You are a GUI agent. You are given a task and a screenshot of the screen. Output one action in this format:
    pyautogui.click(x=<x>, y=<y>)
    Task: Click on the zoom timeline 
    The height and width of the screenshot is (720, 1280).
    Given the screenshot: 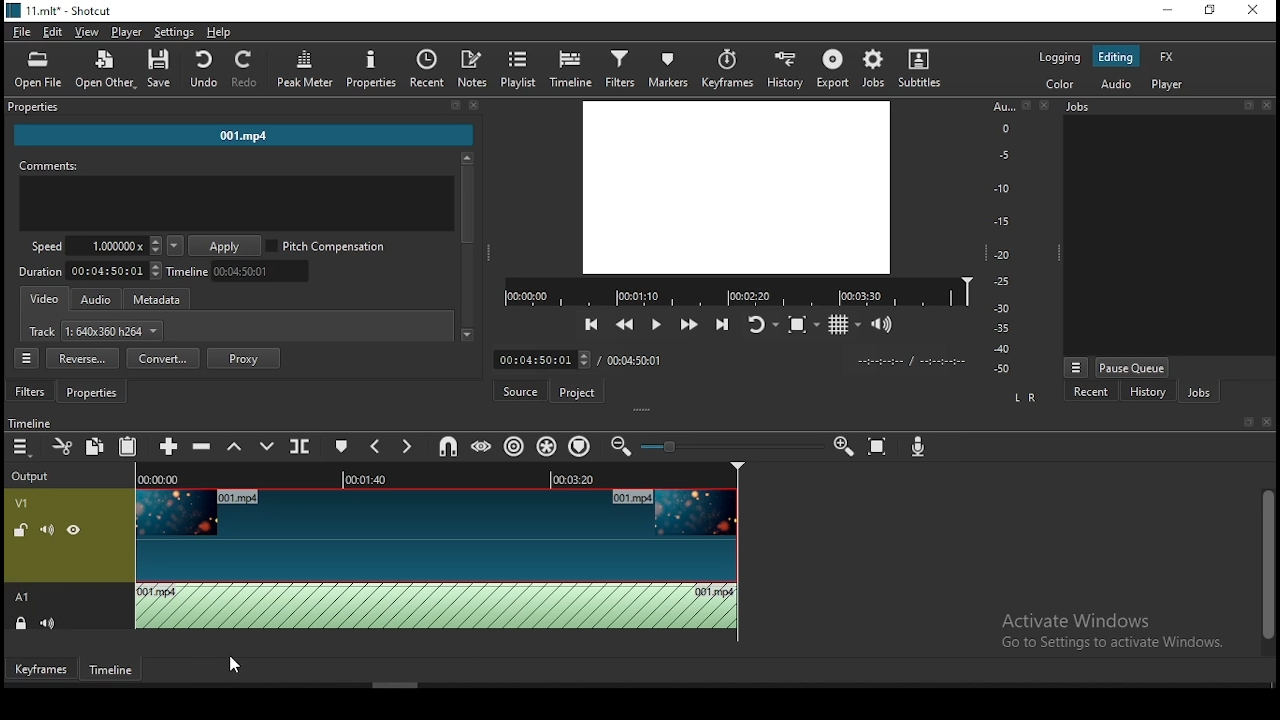 What is the action you would take?
    pyautogui.click(x=840, y=445)
    